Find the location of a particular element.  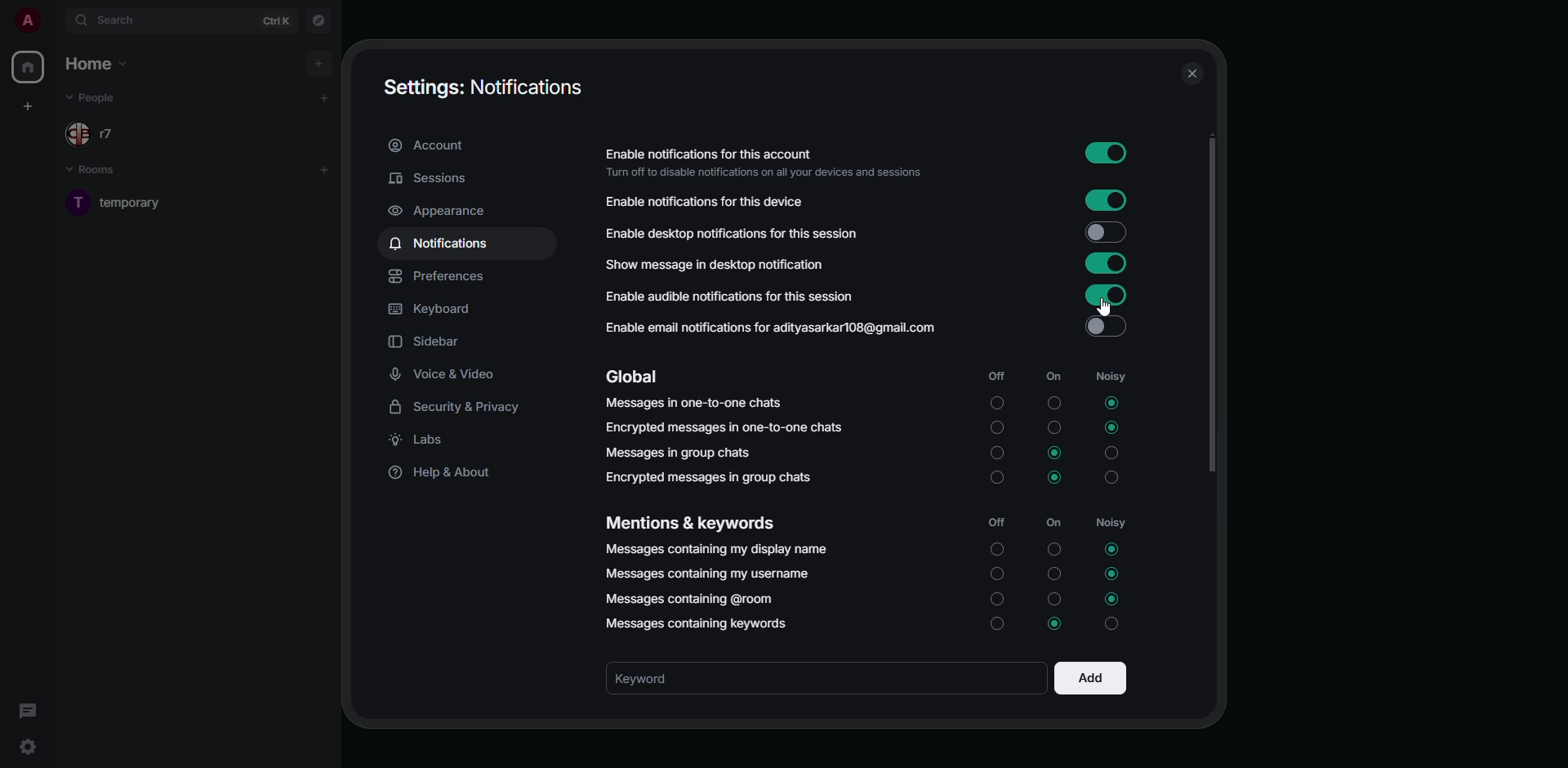

scroll bar is located at coordinates (1211, 306).